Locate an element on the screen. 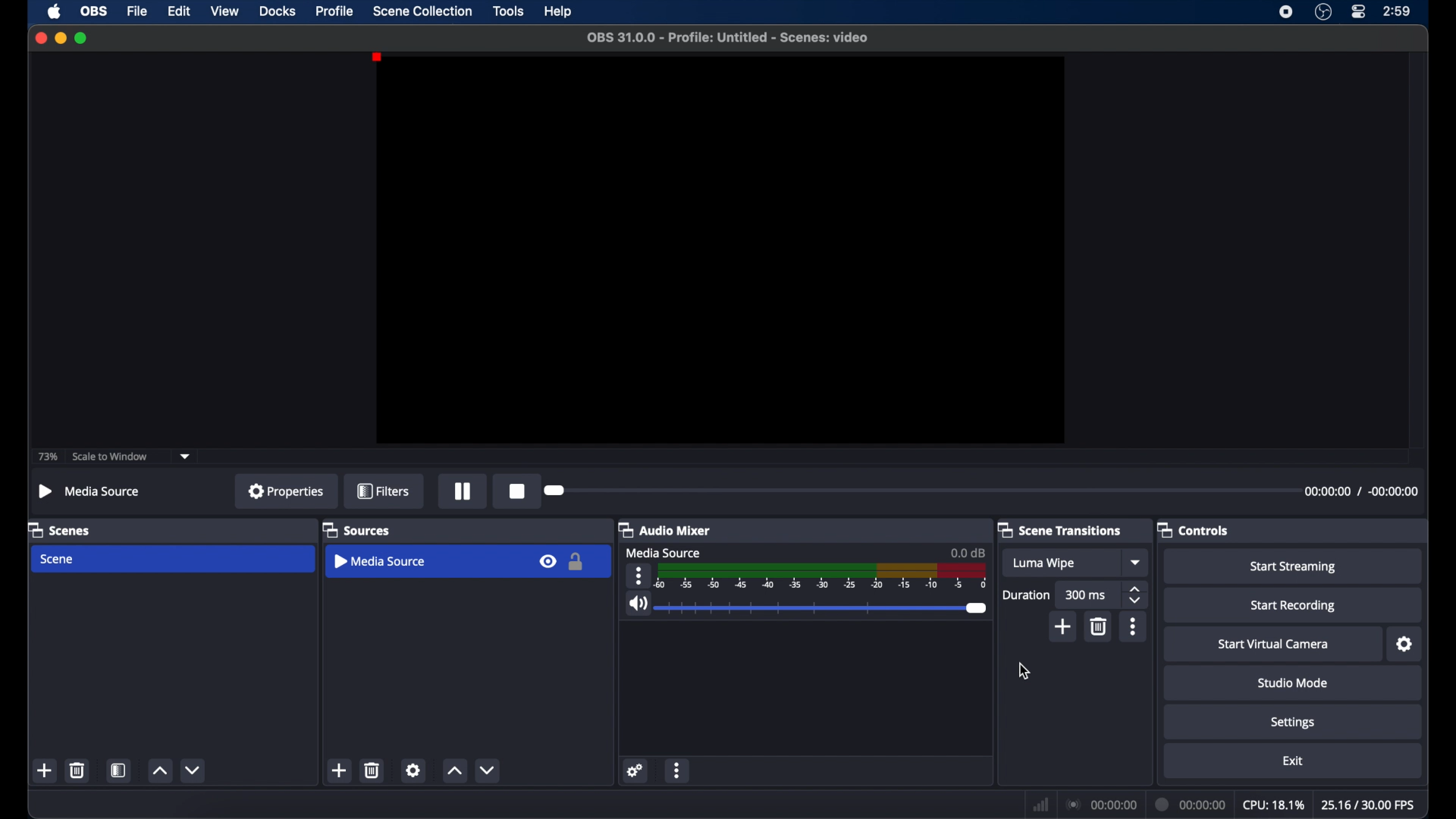 This screenshot has width=1456, height=819. add is located at coordinates (340, 770).